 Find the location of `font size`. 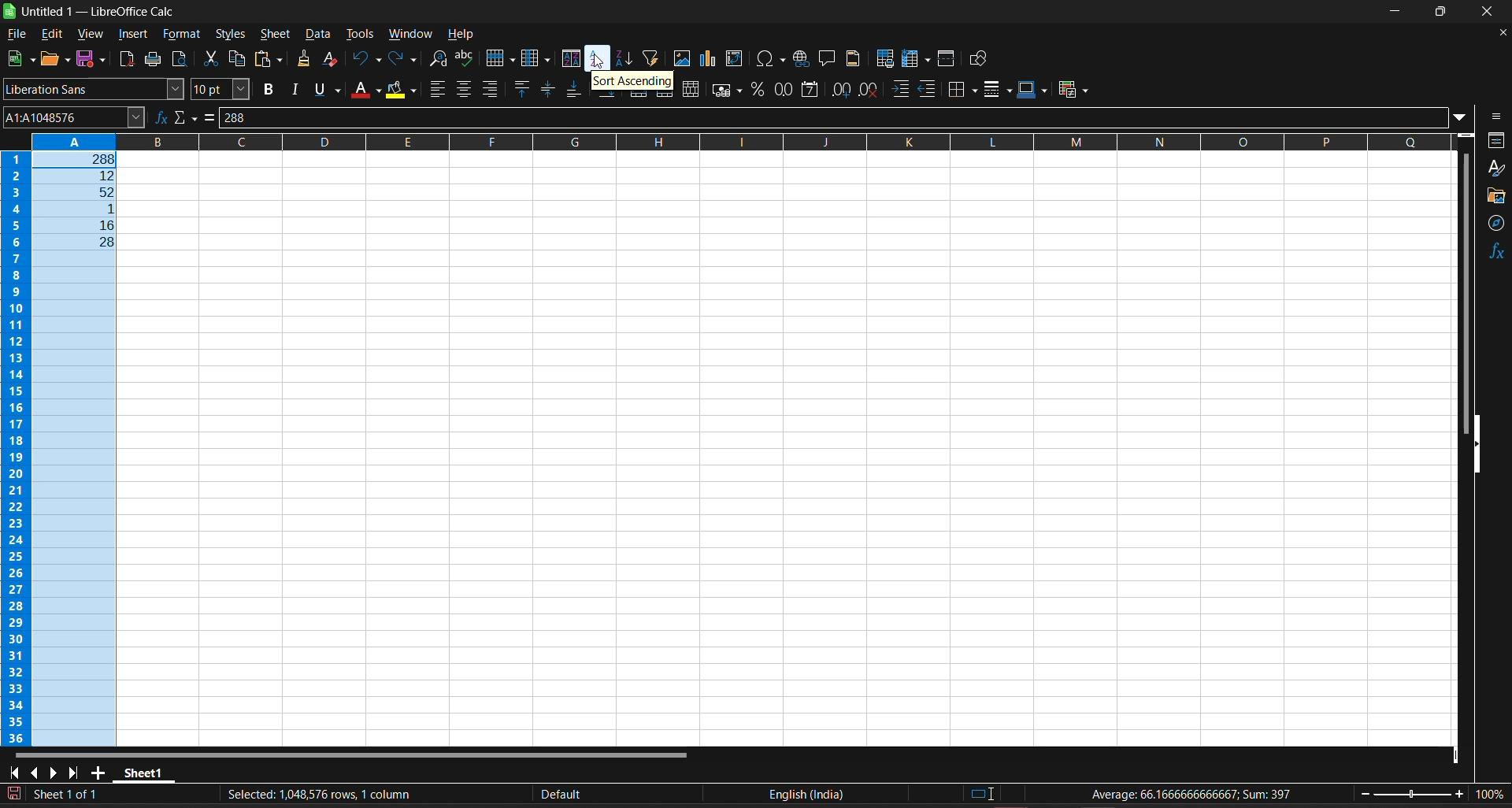

font size is located at coordinates (221, 90).